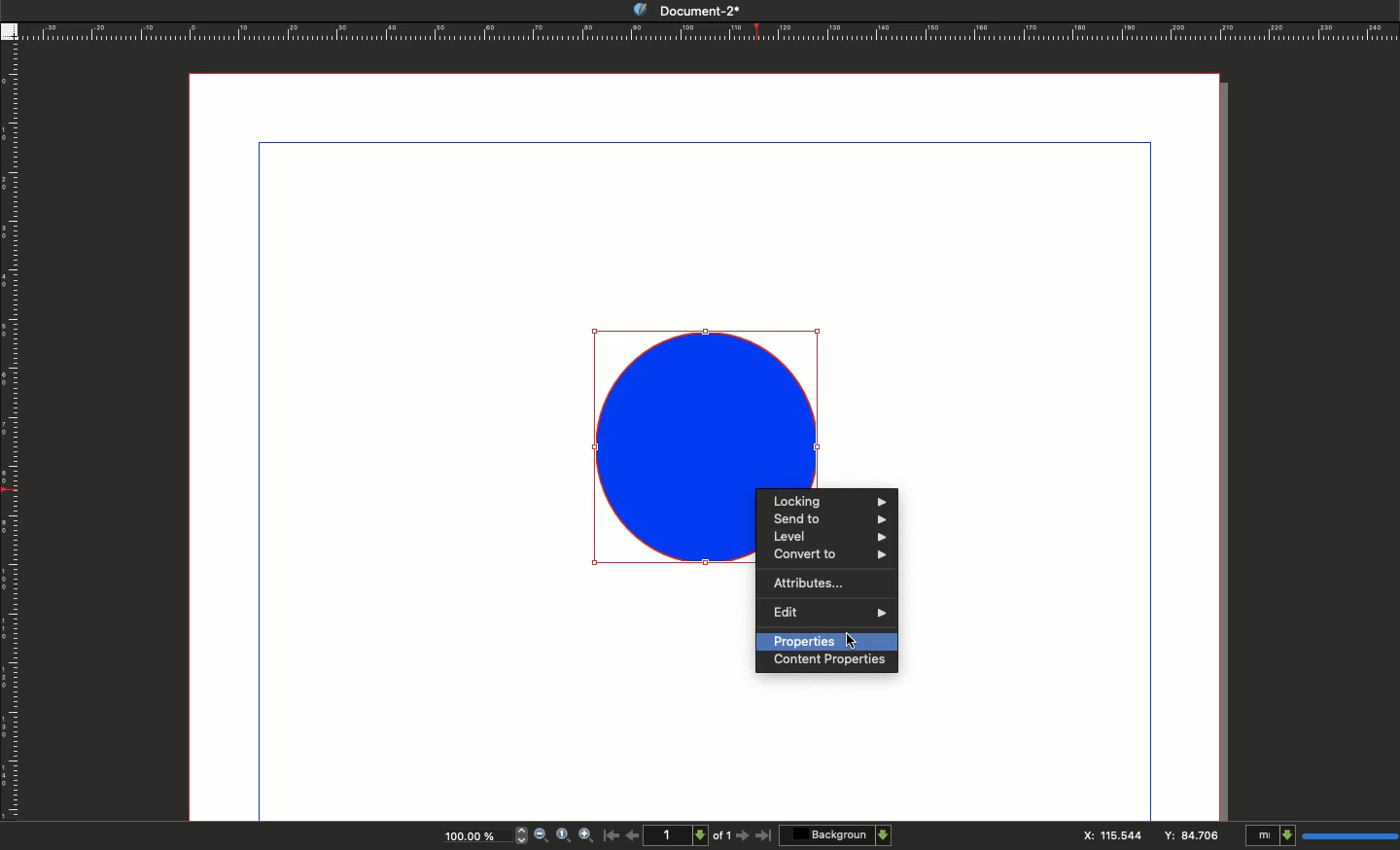 The height and width of the screenshot is (850, 1400). Describe the element at coordinates (805, 582) in the screenshot. I see `Attributes` at that location.